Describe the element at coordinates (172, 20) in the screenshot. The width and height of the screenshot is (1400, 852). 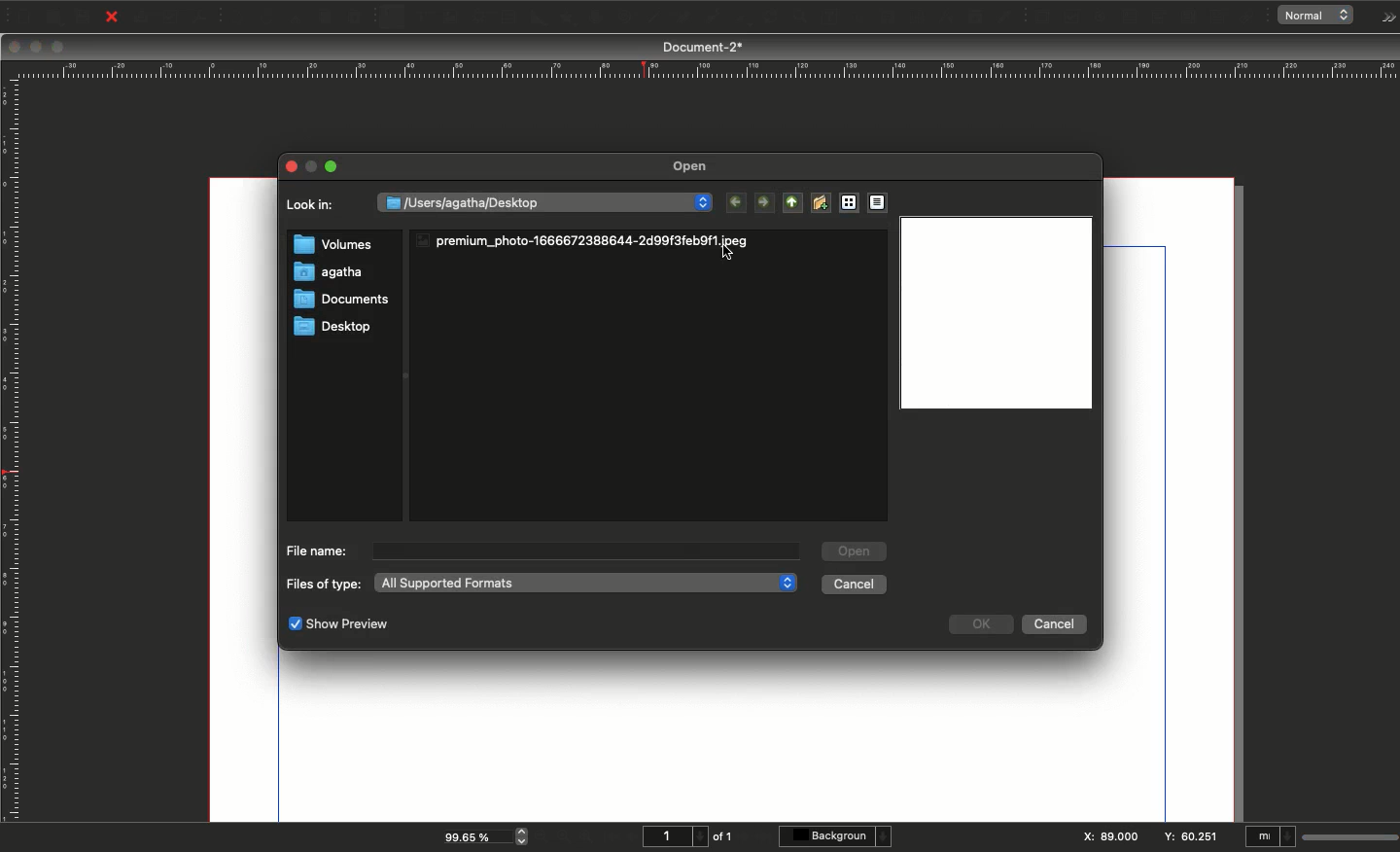
I see `Preflight verifier` at that location.